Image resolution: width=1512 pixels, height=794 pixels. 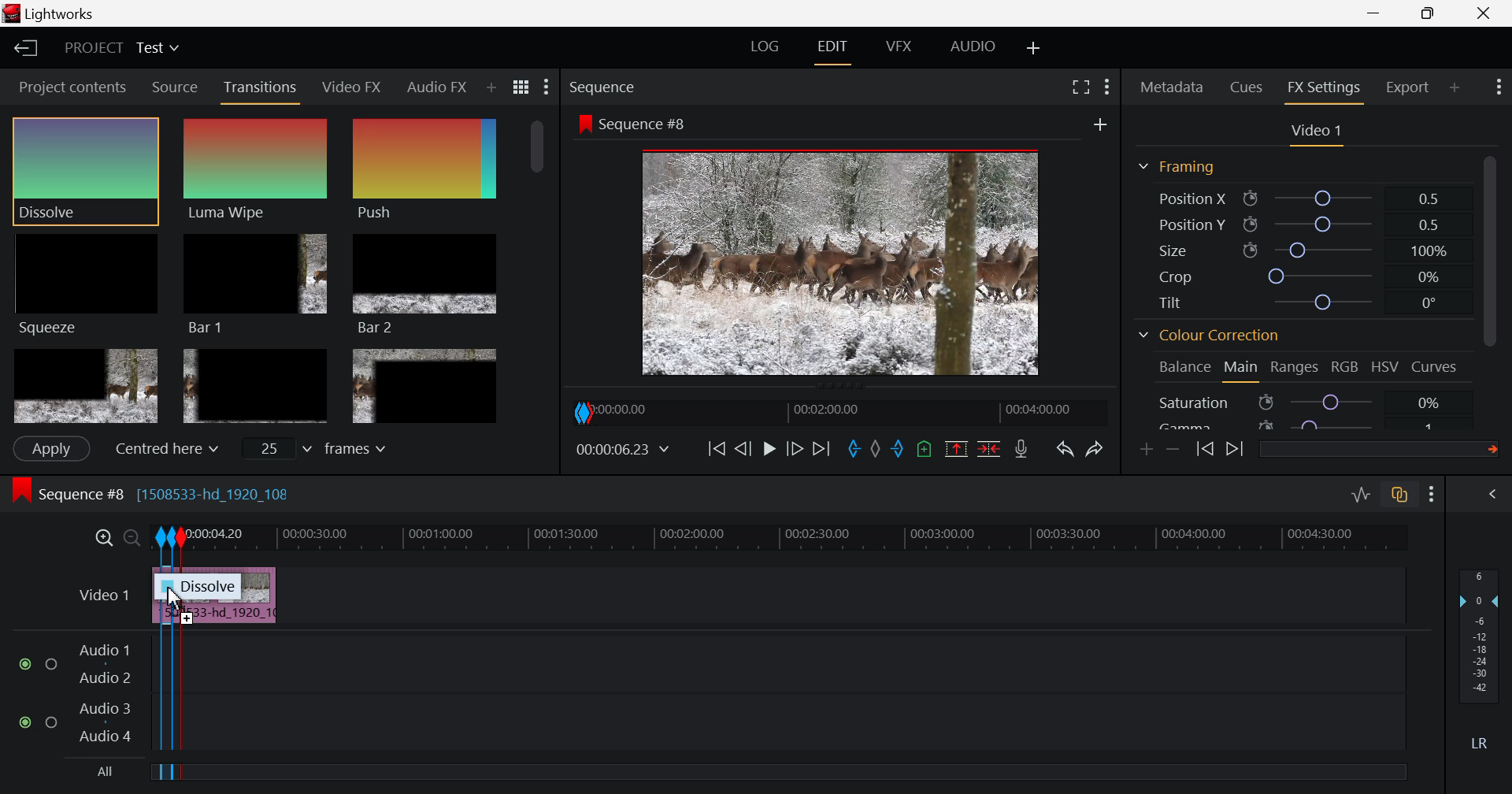 I want to click on Sequence #8 [1508533-hd_1920_10, so click(x=156, y=492).